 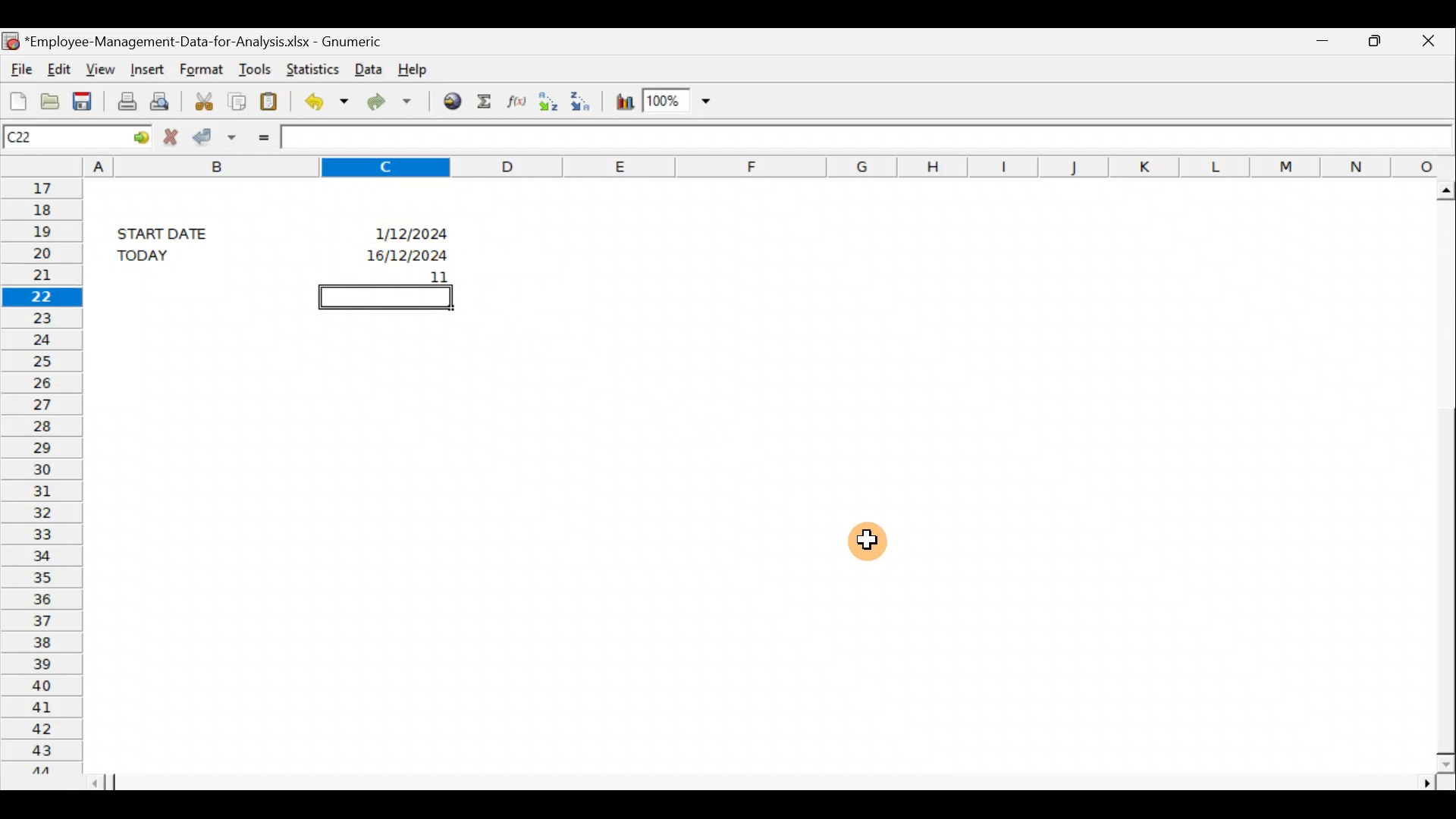 What do you see at coordinates (49, 136) in the screenshot?
I see `Cell name C22` at bounding box center [49, 136].